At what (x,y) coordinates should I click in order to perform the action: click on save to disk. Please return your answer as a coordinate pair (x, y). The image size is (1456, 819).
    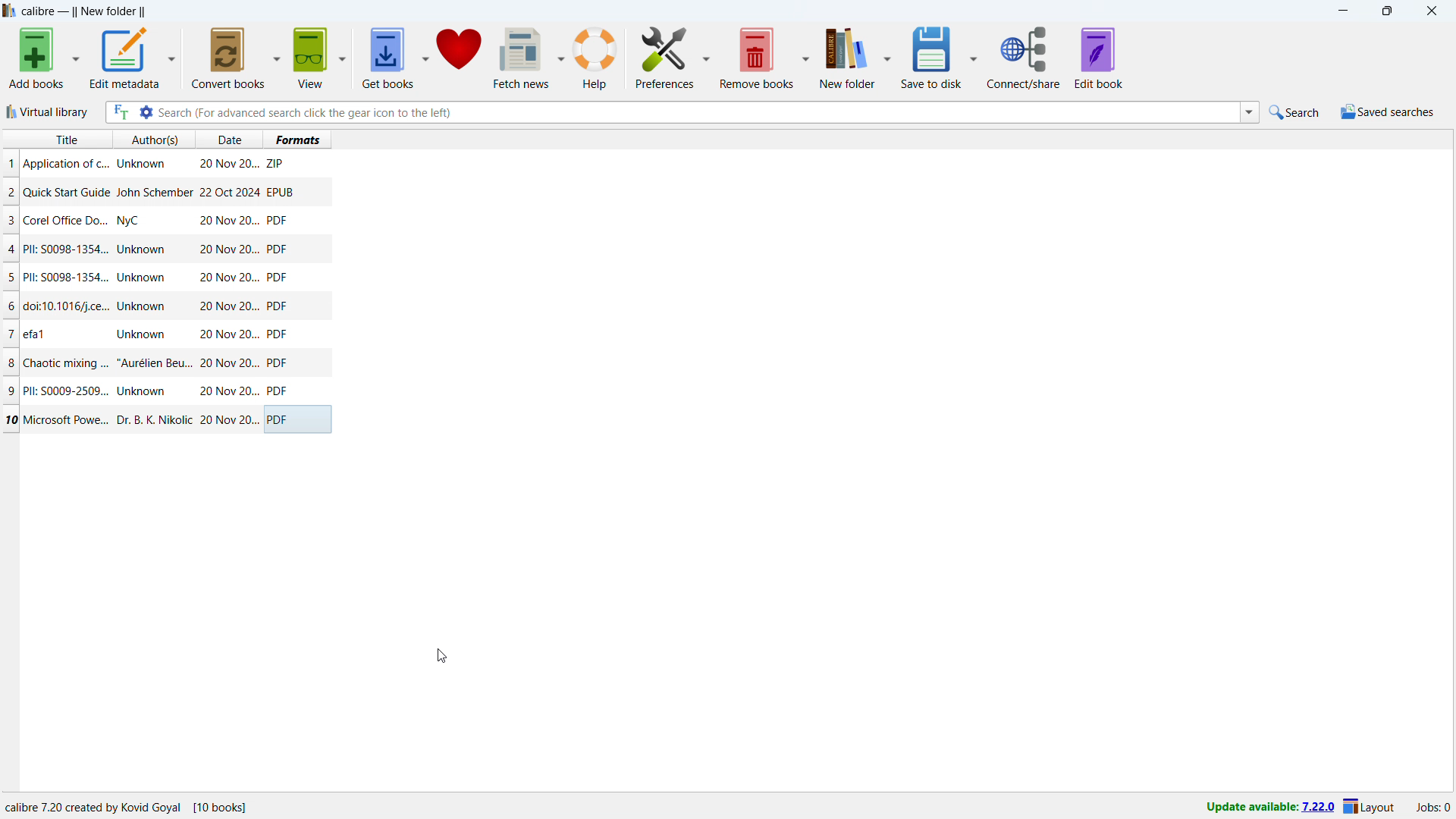
    Looking at the image, I should click on (933, 56).